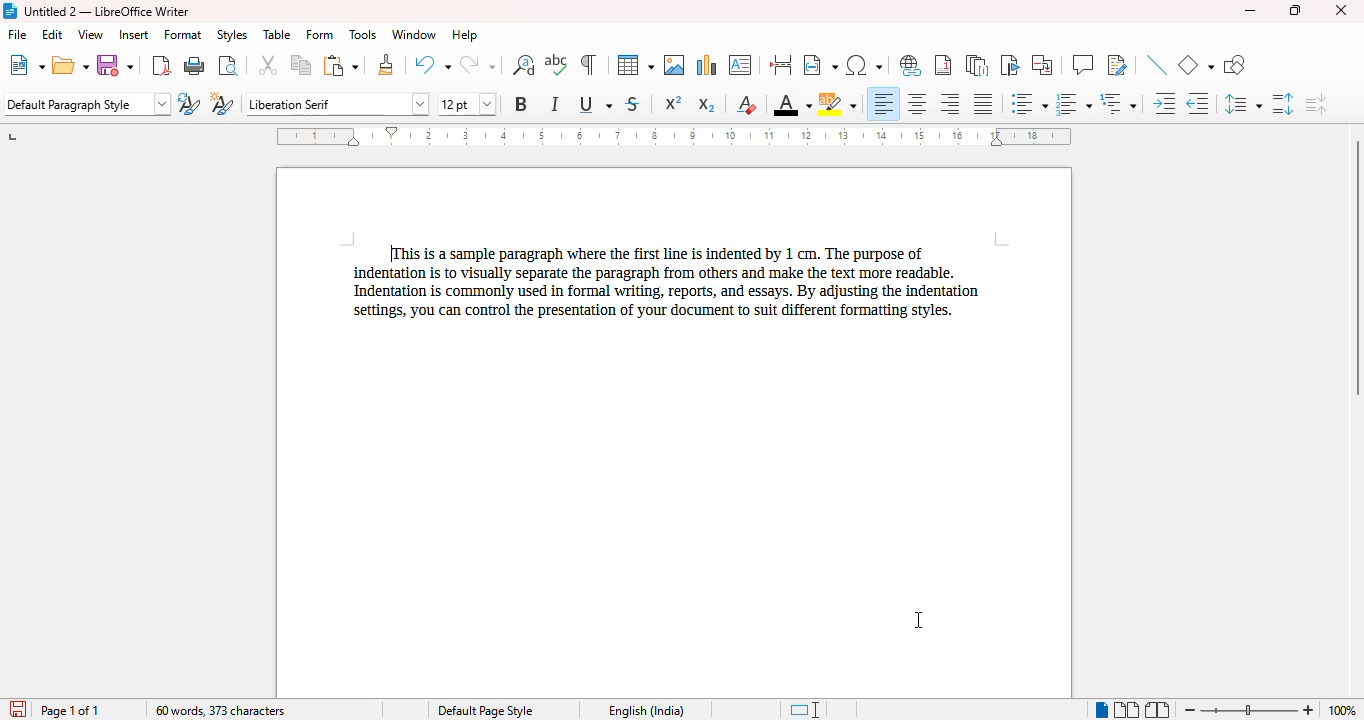  What do you see at coordinates (674, 65) in the screenshot?
I see `insert image` at bounding box center [674, 65].